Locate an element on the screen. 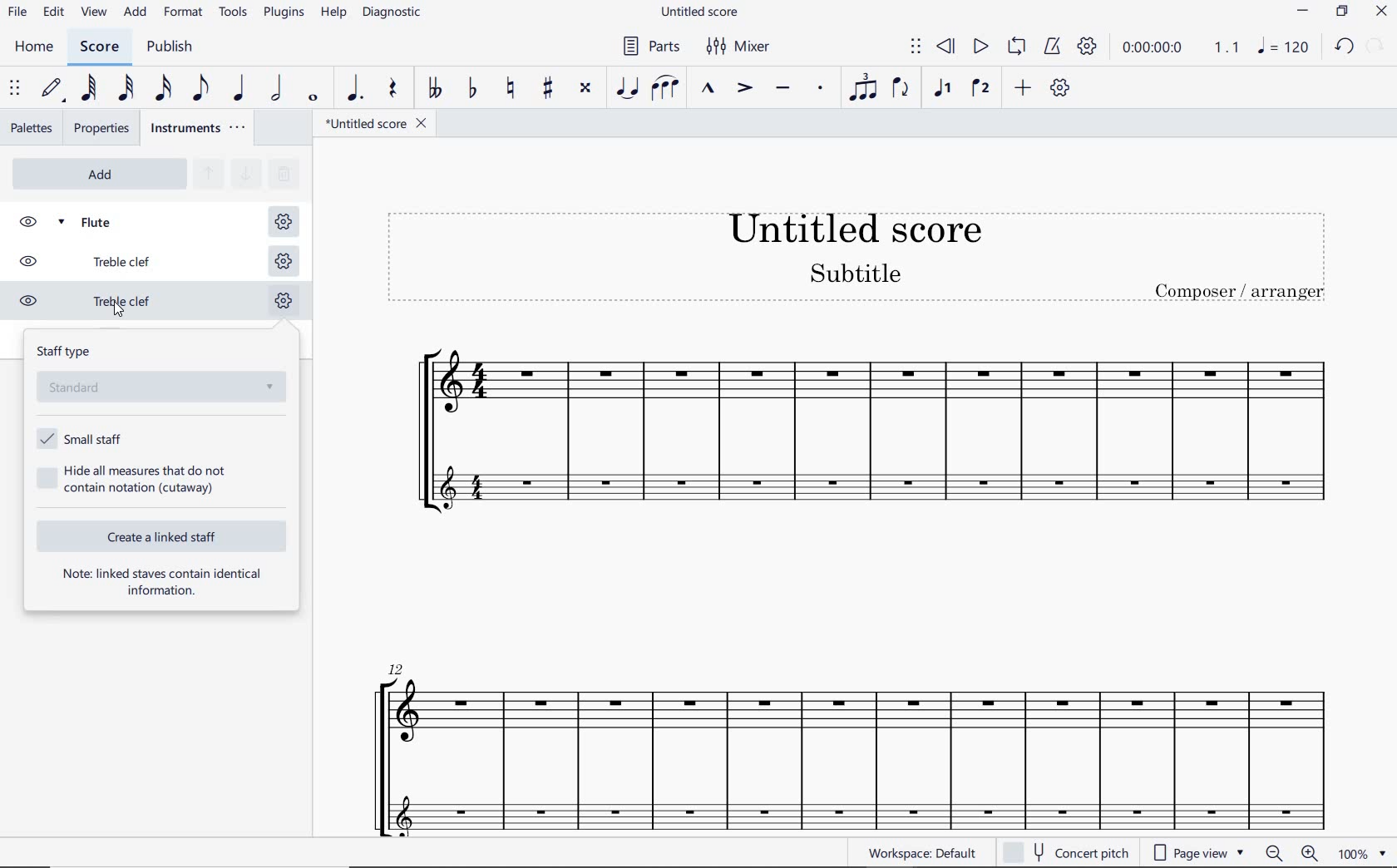 Image resolution: width=1397 pixels, height=868 pixels. HALF NOTE is located at coordinates (278, 90).